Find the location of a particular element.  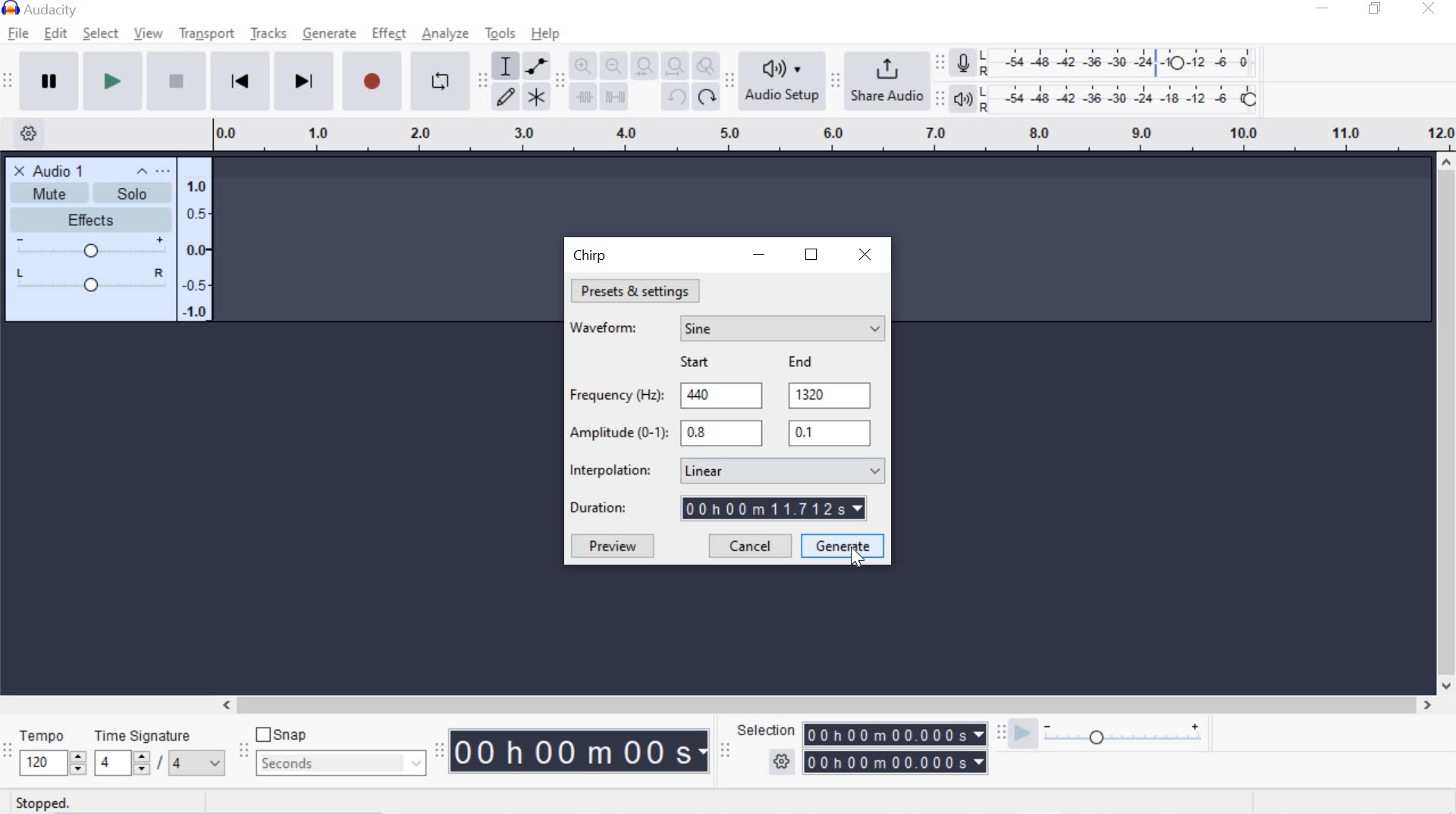

Mute is located at coordinates (51, 193).